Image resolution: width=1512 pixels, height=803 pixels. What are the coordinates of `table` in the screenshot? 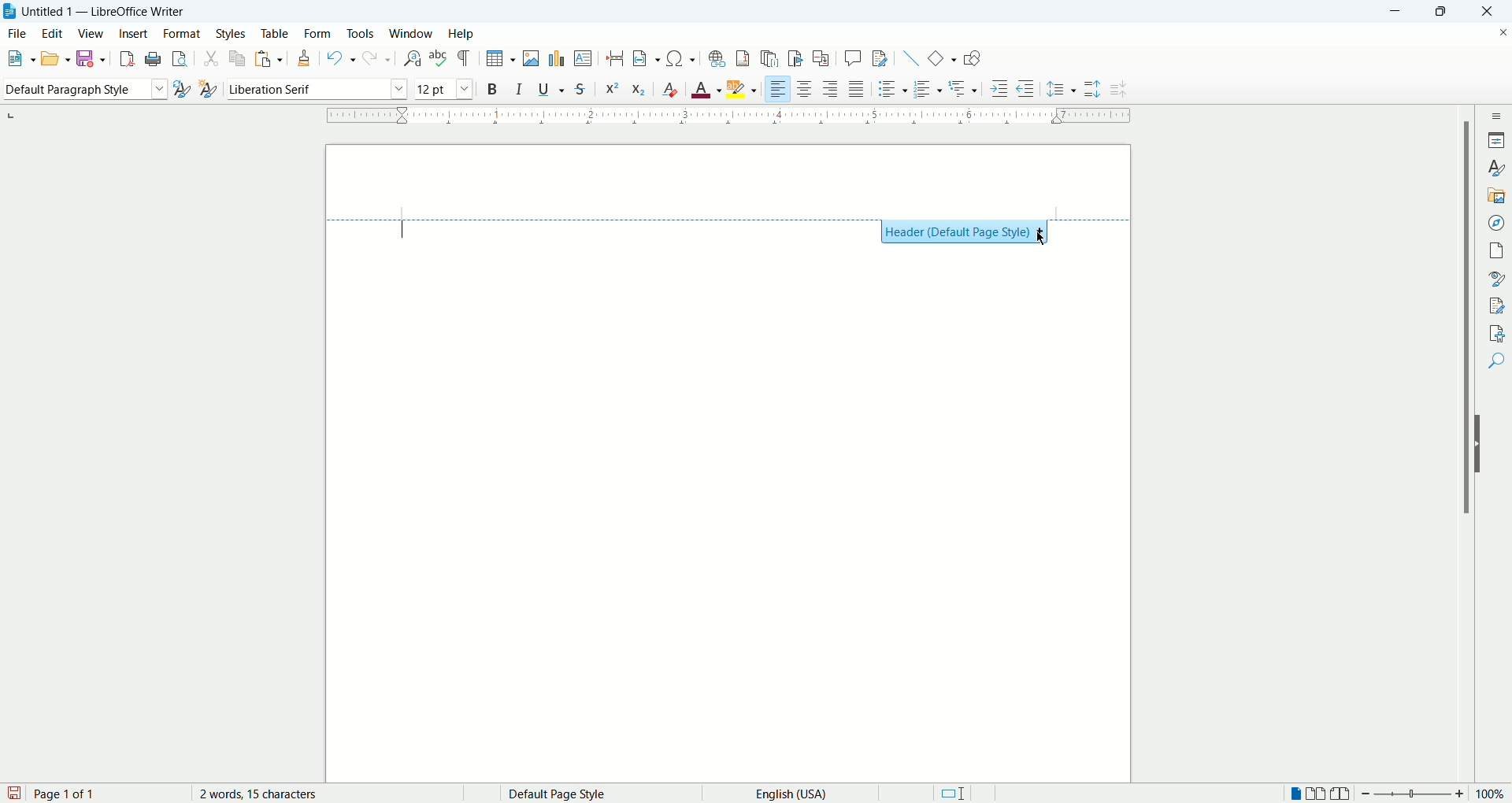 It's located at (273, 31).